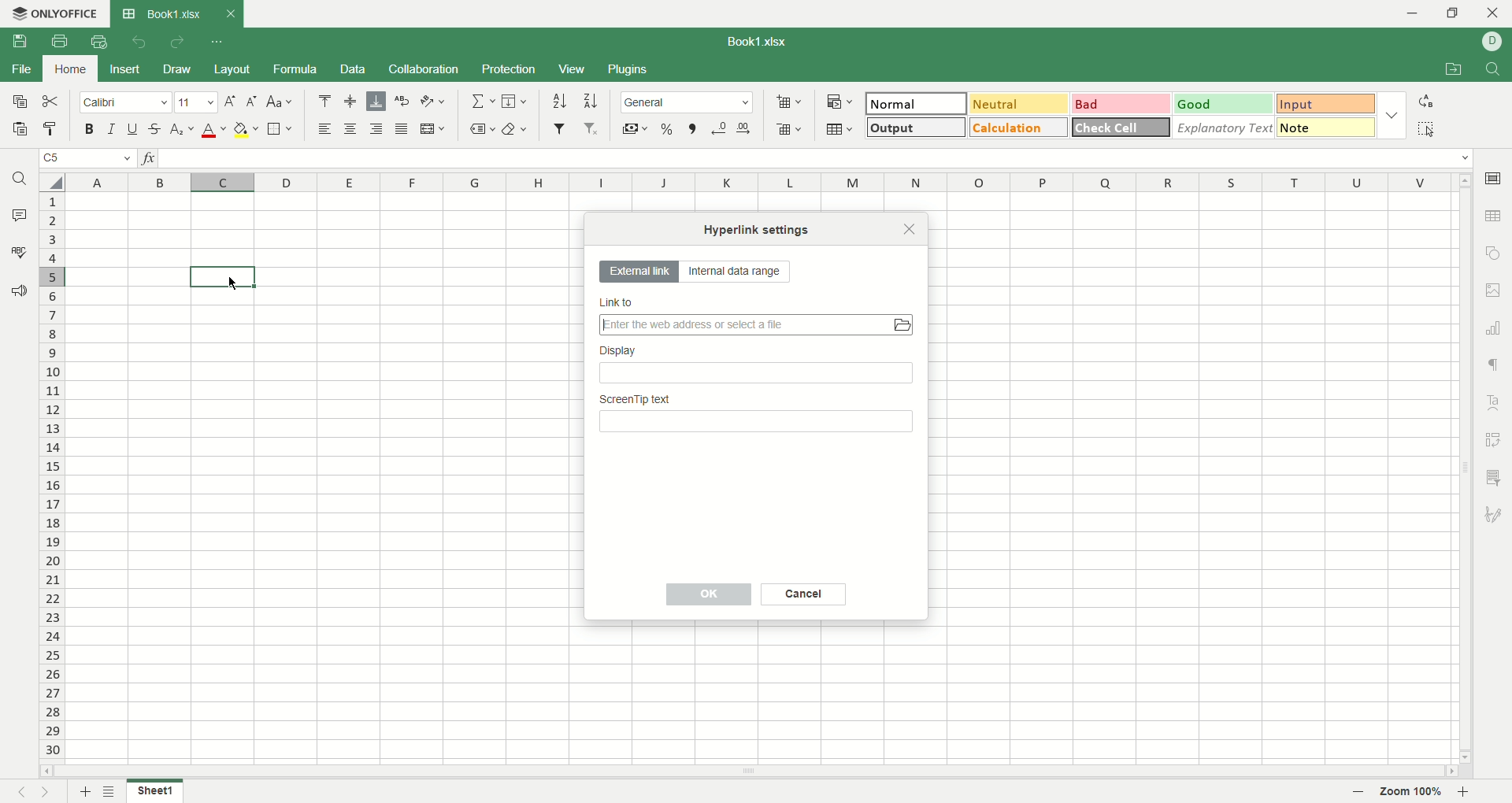 This screenshot has width=1512, height=803. Describe the element at coordinates (837, 100) in the screenshot. I see `conditional formatting` at that location.